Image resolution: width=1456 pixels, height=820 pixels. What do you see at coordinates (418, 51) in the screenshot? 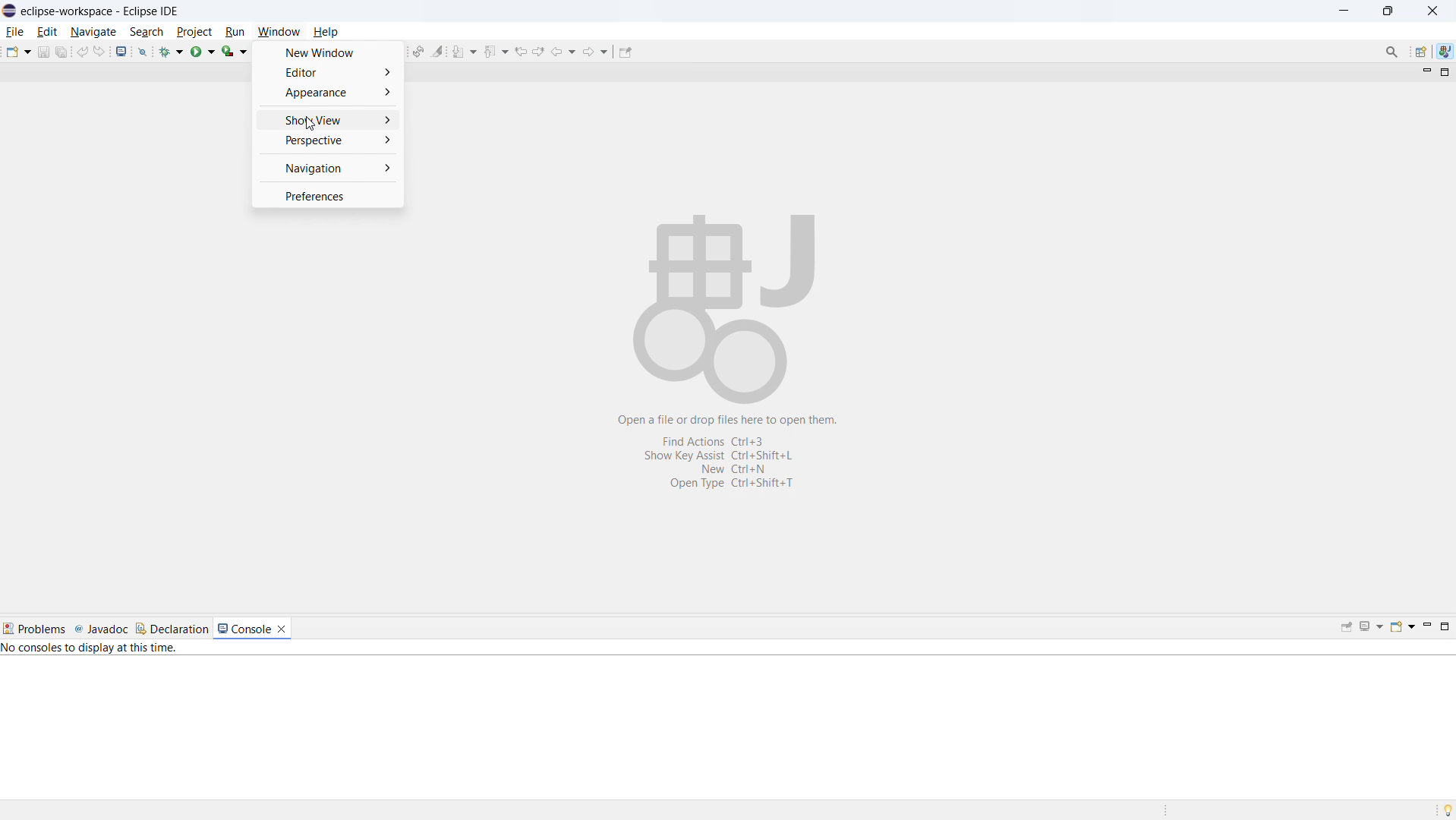
I see `toggle ant editor auto reconcile` at bounding box center [418, 51].